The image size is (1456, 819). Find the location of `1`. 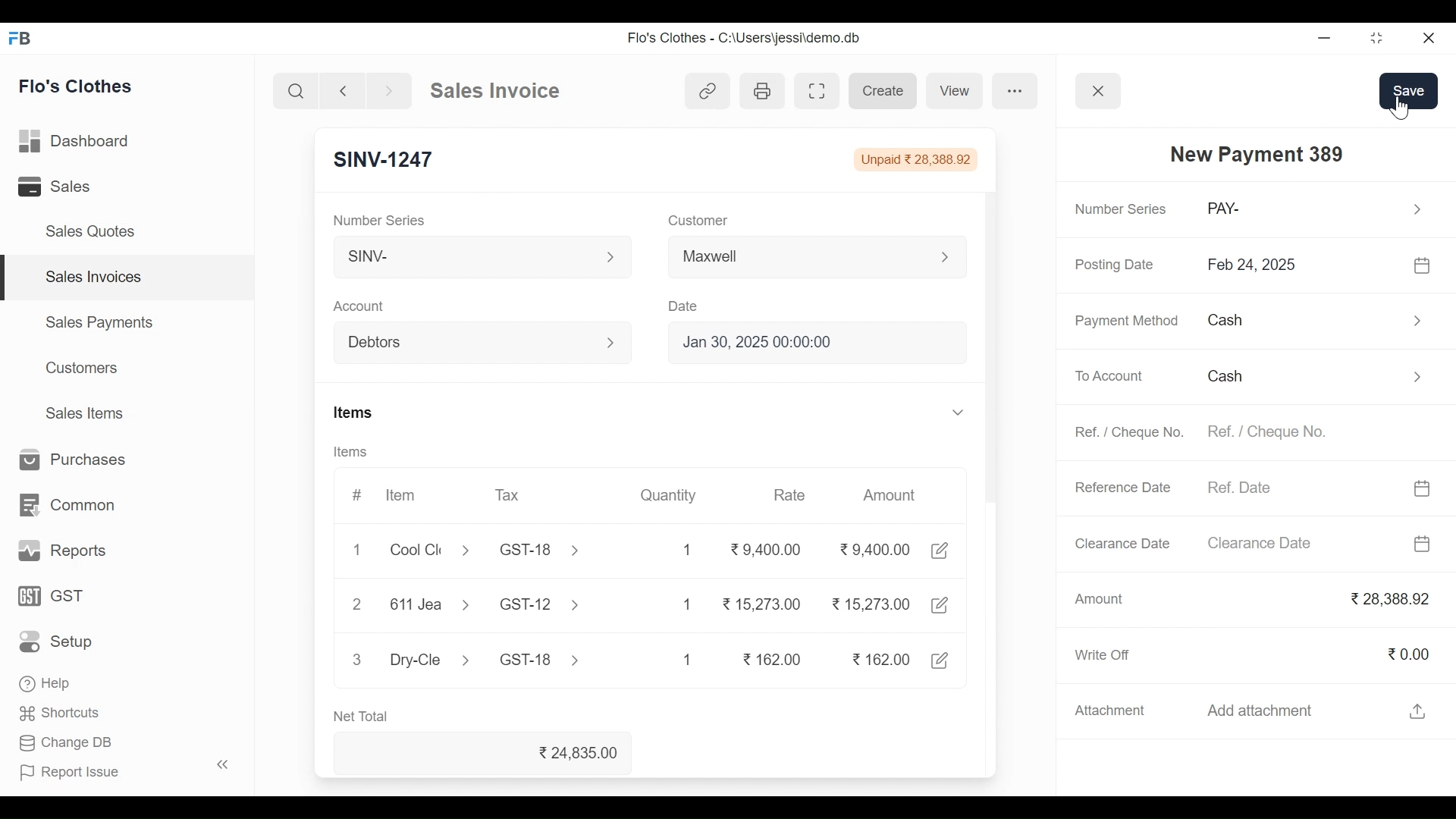

1 is located at coordinates (689, 603).